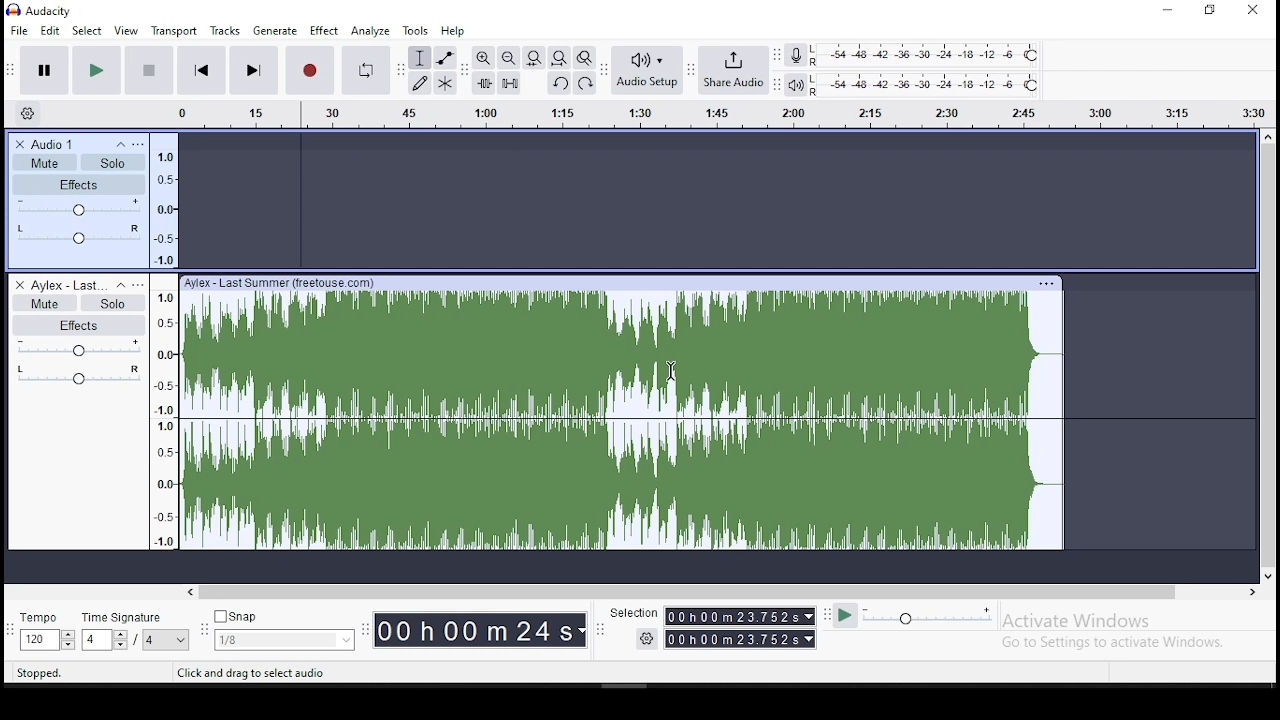  What do you see at coordinates (174, 31) in the screenshot?
I see `transport` at bounding box center [174, 31].